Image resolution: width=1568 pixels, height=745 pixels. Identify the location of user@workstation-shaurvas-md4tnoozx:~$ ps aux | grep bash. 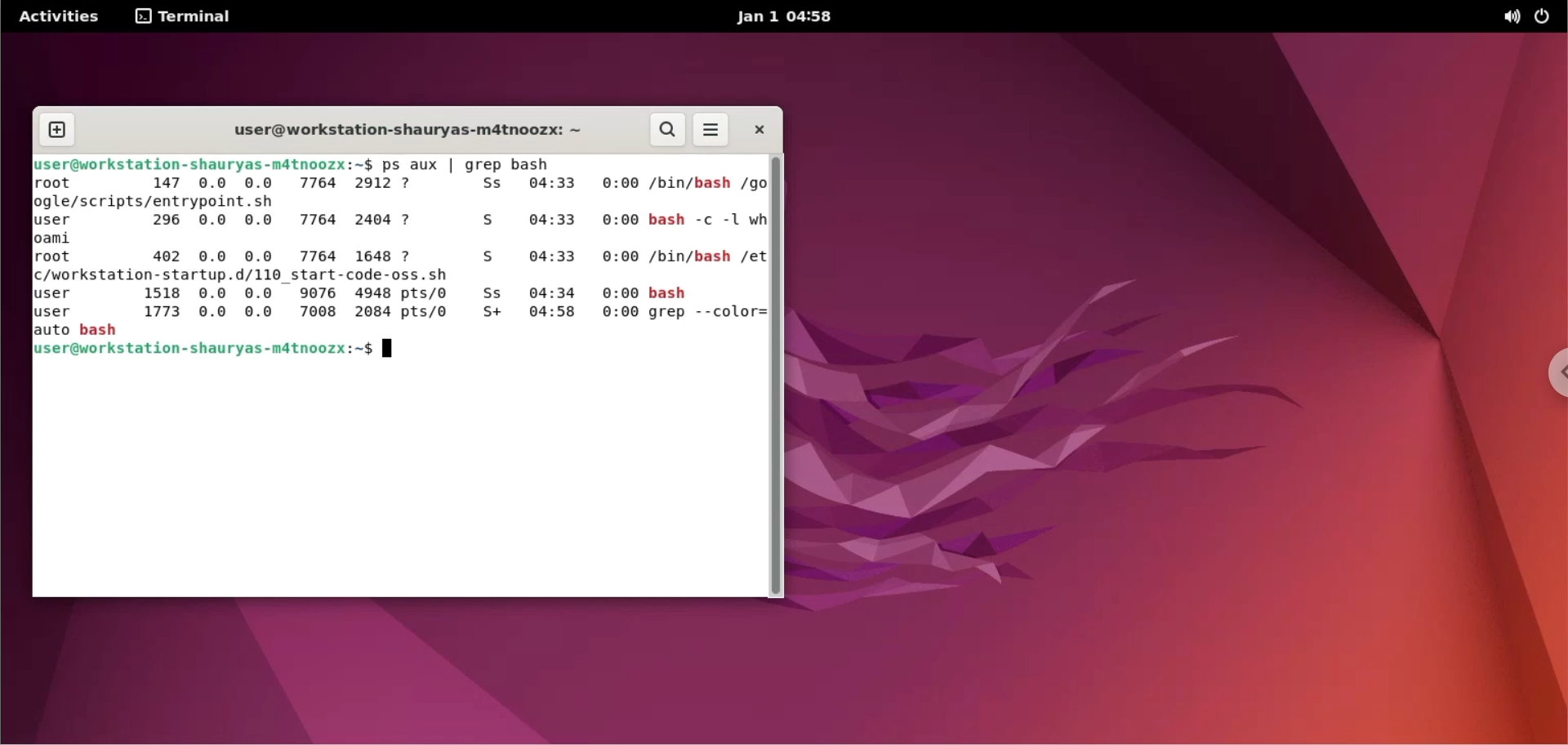
(305, 164).